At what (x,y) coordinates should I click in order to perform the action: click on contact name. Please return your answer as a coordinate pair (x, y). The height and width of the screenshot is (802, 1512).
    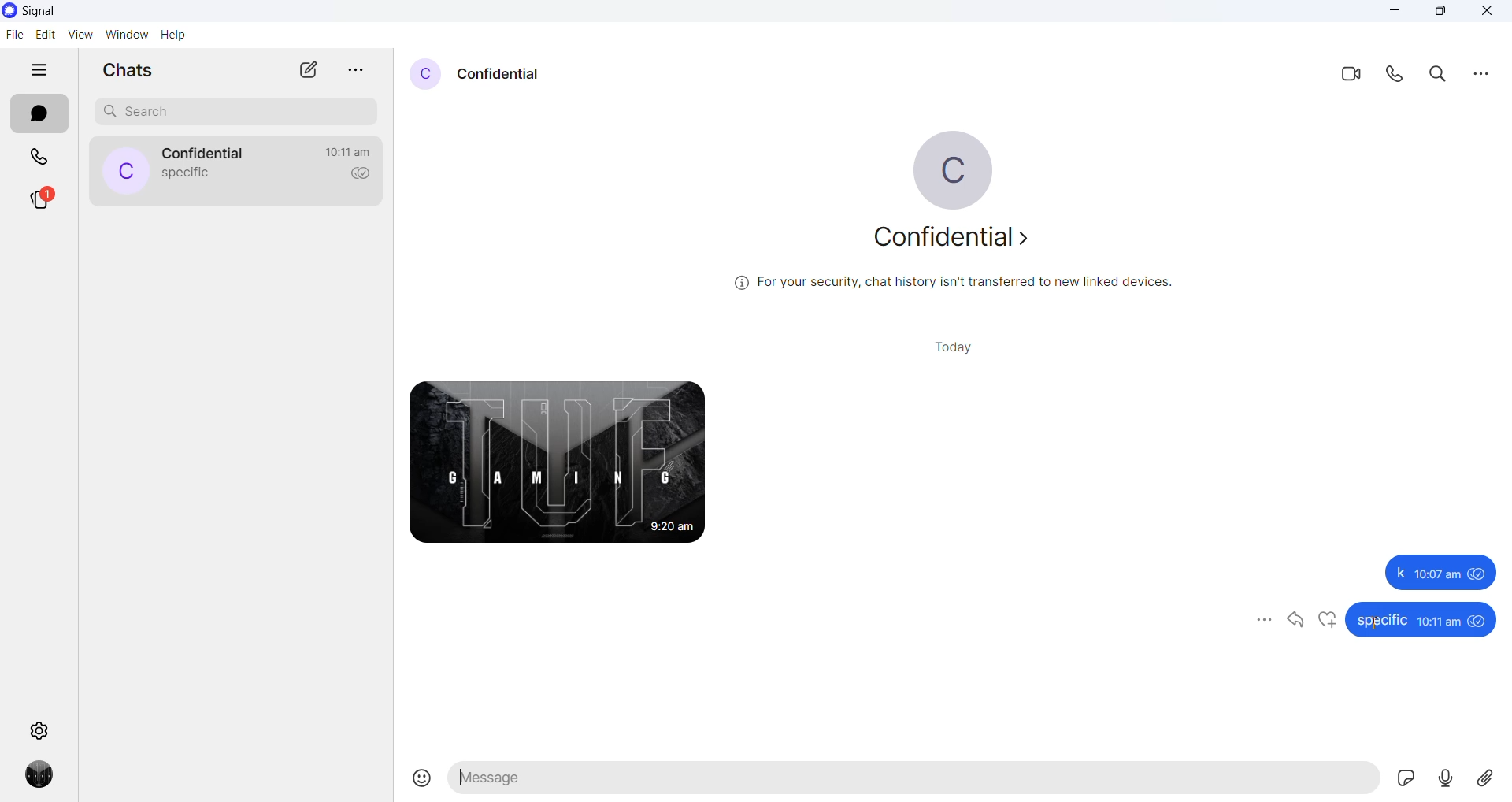
    Looking at the image, I should click on (500, 76).